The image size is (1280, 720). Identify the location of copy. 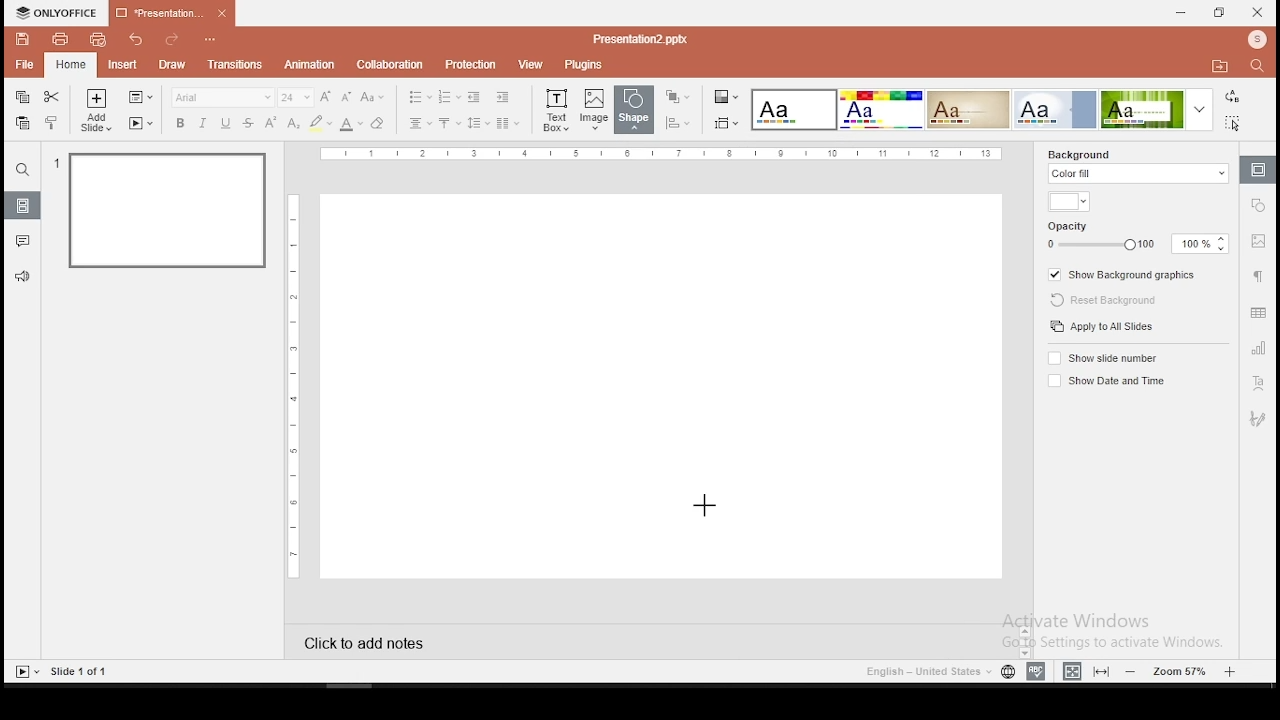
(21, 98).